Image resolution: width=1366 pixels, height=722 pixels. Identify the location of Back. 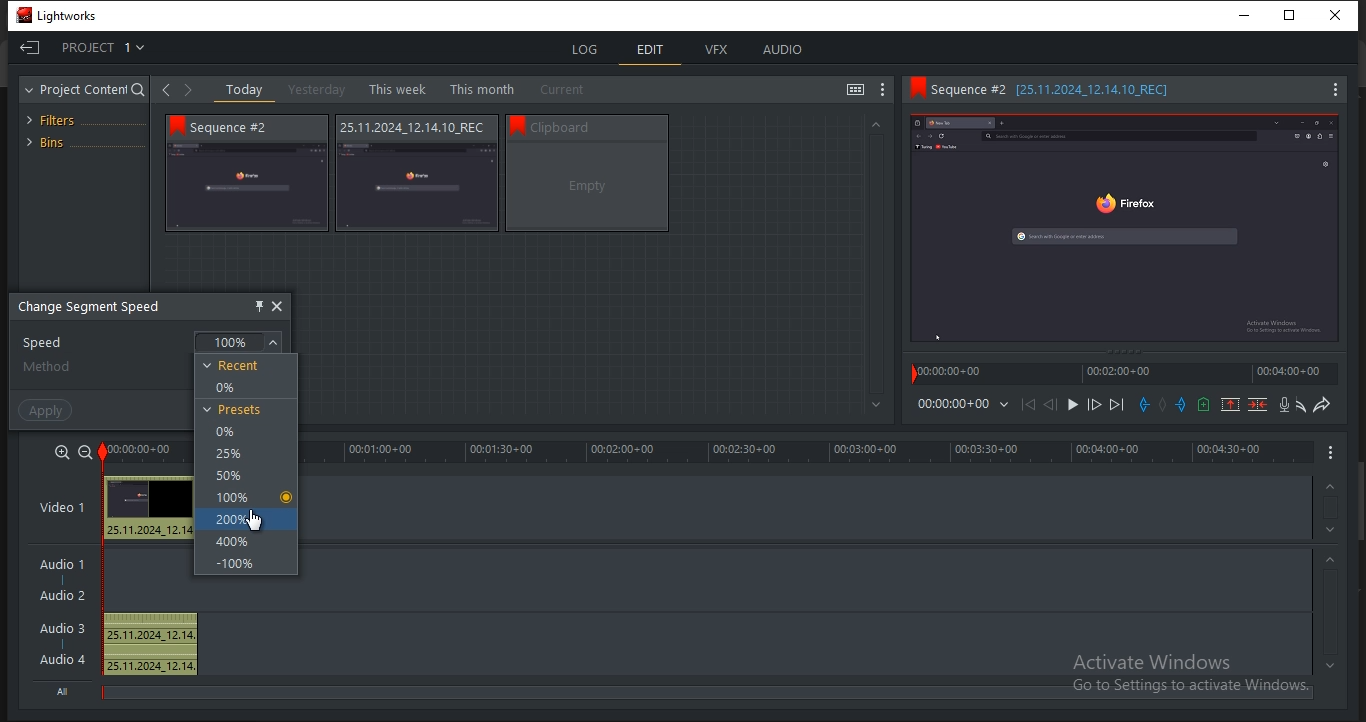
(166, 90).